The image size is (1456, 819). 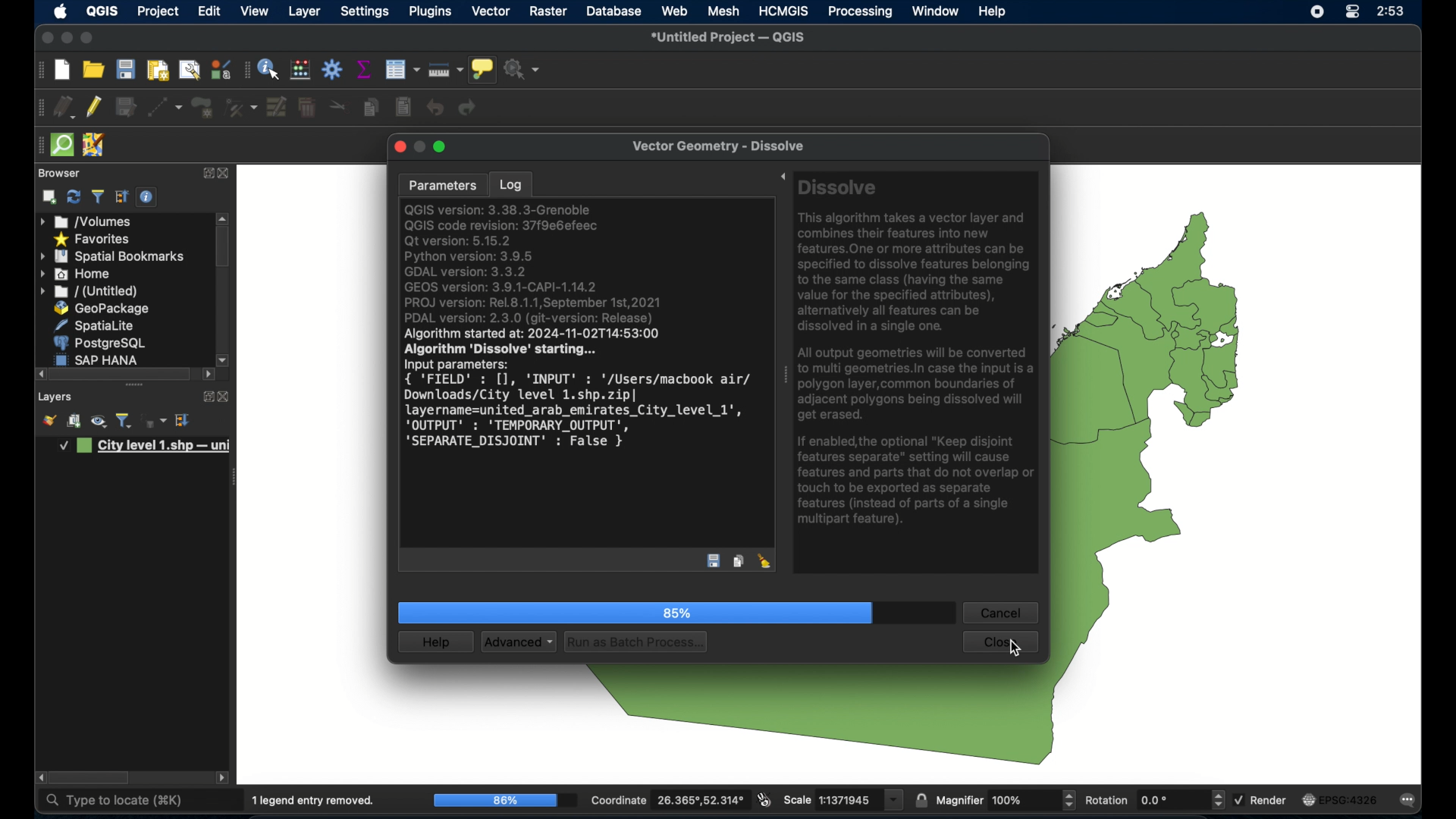 What do you see at coordinates (188, 71) in the screenshot?
I see `open layout manager` at bounding box center [188, 71].